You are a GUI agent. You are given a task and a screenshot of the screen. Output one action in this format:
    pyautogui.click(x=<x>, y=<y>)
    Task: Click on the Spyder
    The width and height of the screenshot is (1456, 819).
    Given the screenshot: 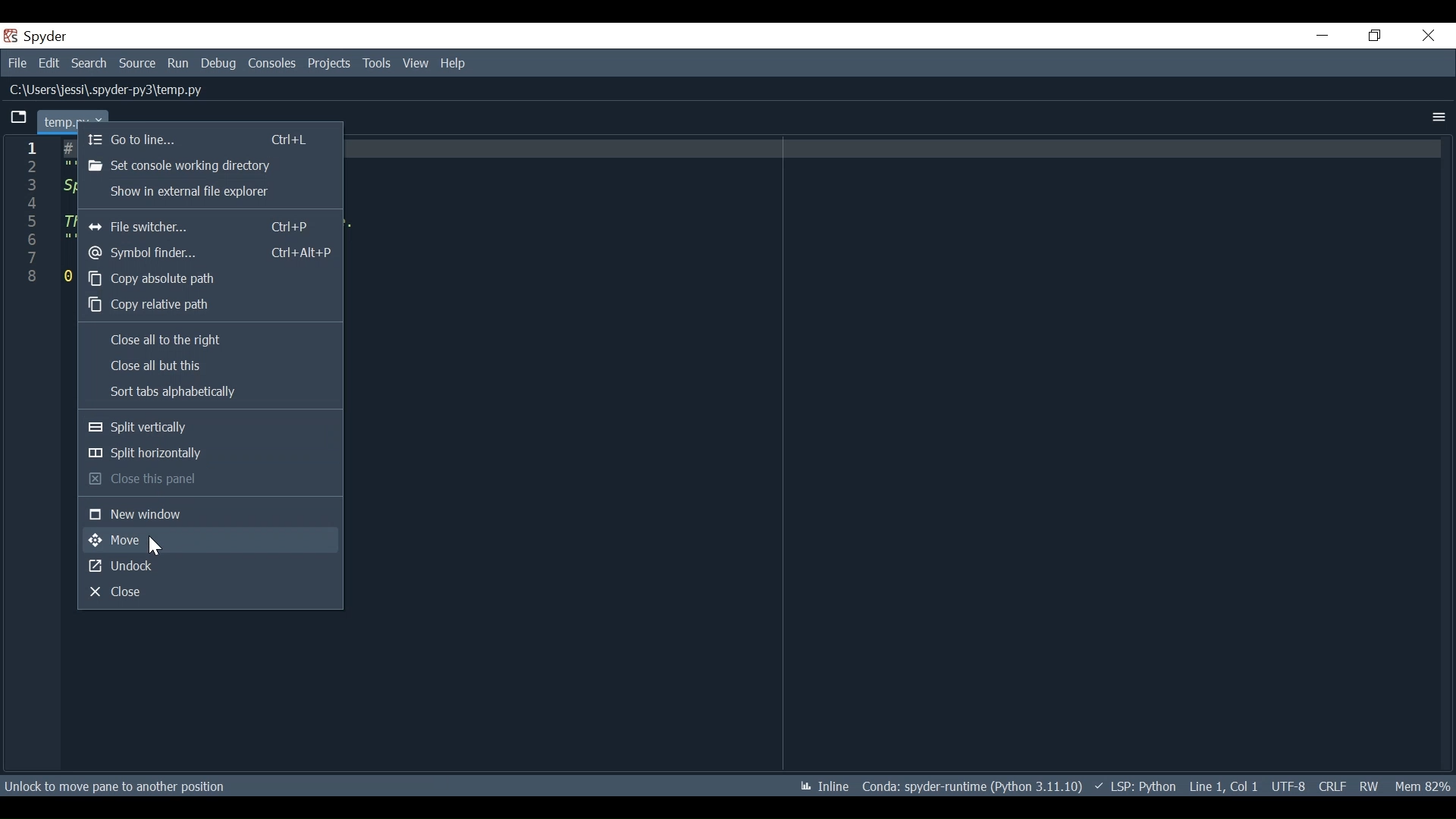 What is the action you would take?
    pyautogui.click(x=39, y=37)
    